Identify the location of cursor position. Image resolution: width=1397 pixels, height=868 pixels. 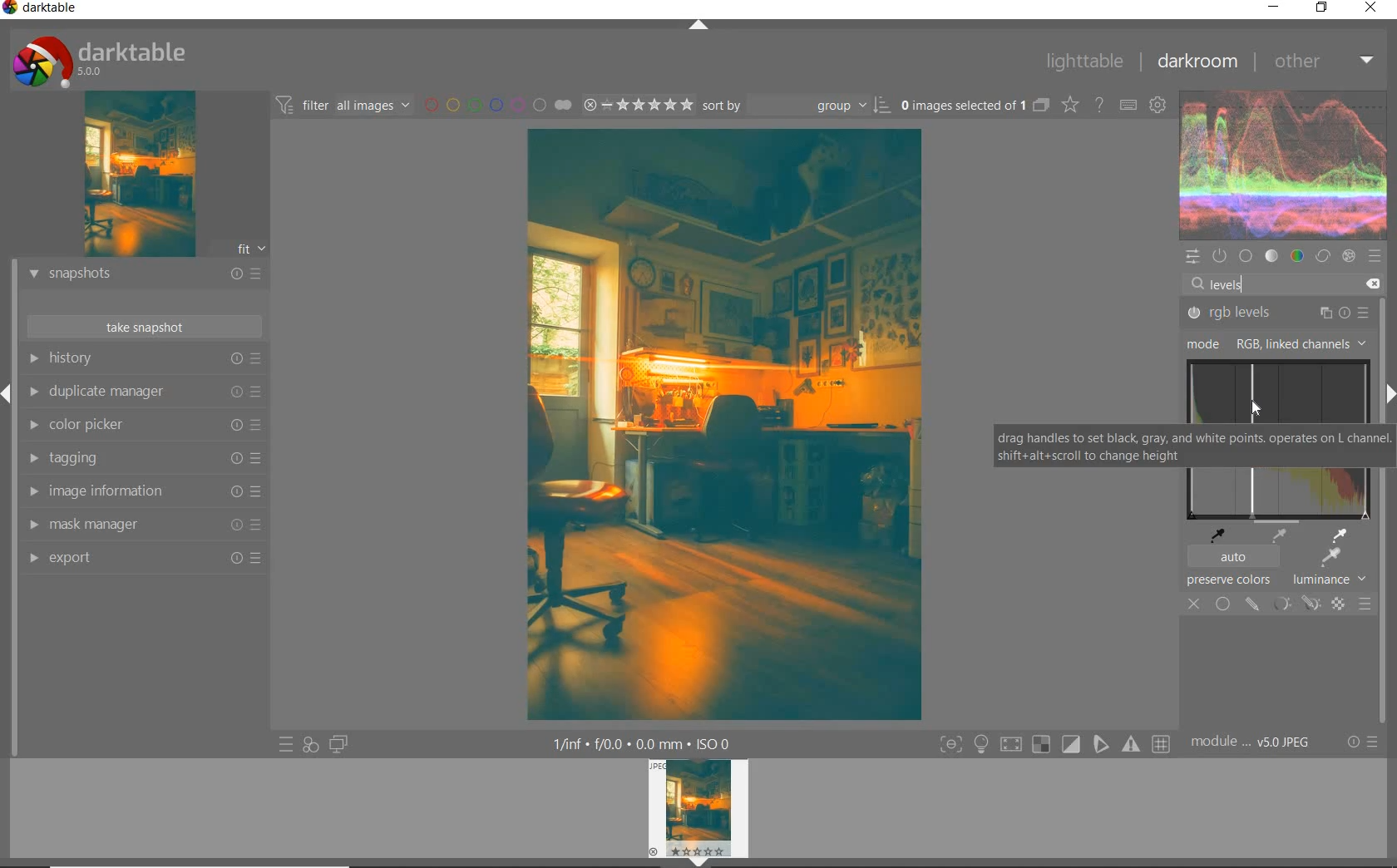
(1256, 408).